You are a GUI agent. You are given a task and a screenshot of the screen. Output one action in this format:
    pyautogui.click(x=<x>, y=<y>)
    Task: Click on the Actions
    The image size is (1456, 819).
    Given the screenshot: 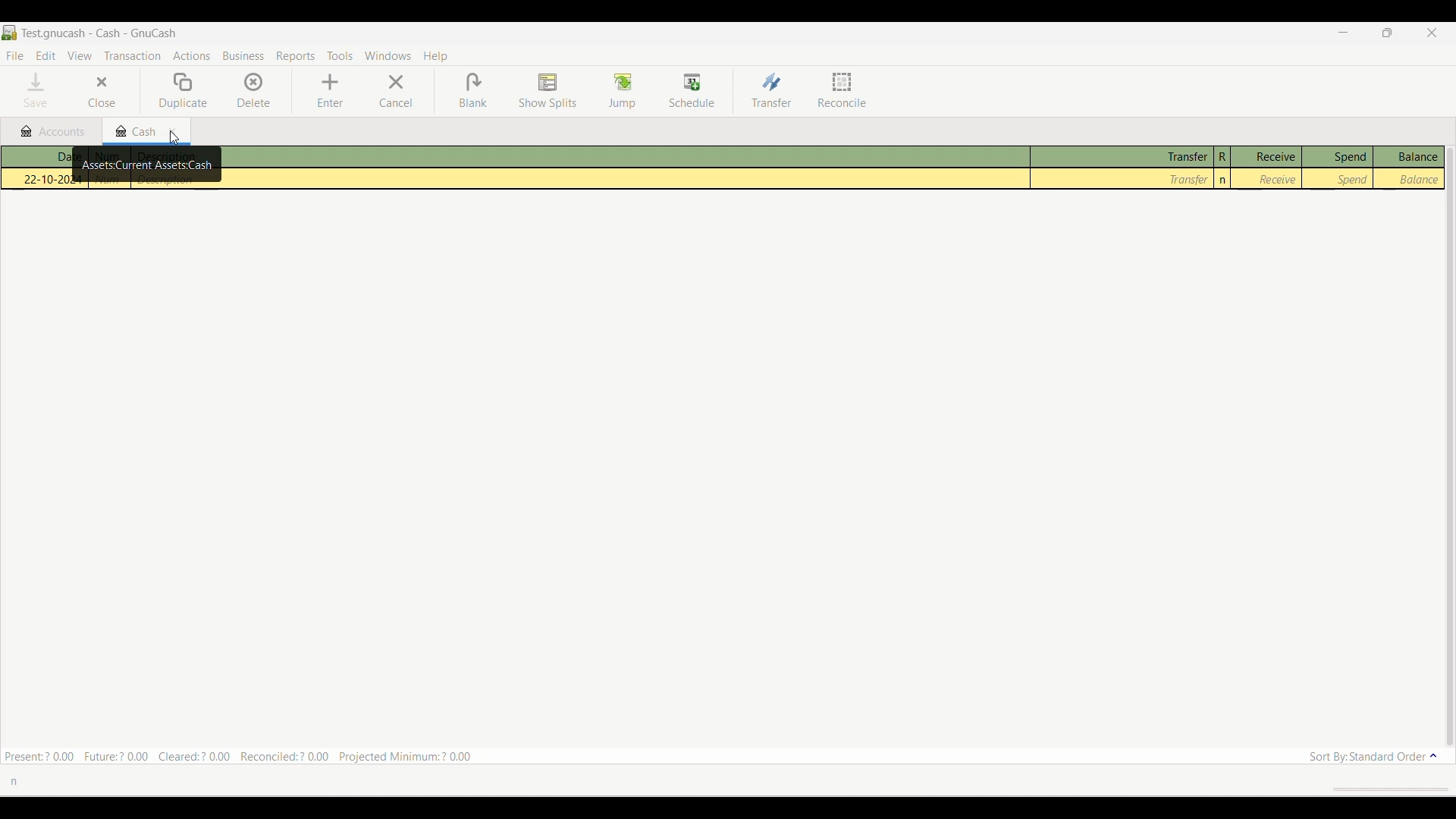 What is the action you would take?
    pyautogui.click(x=191, y=55)
    